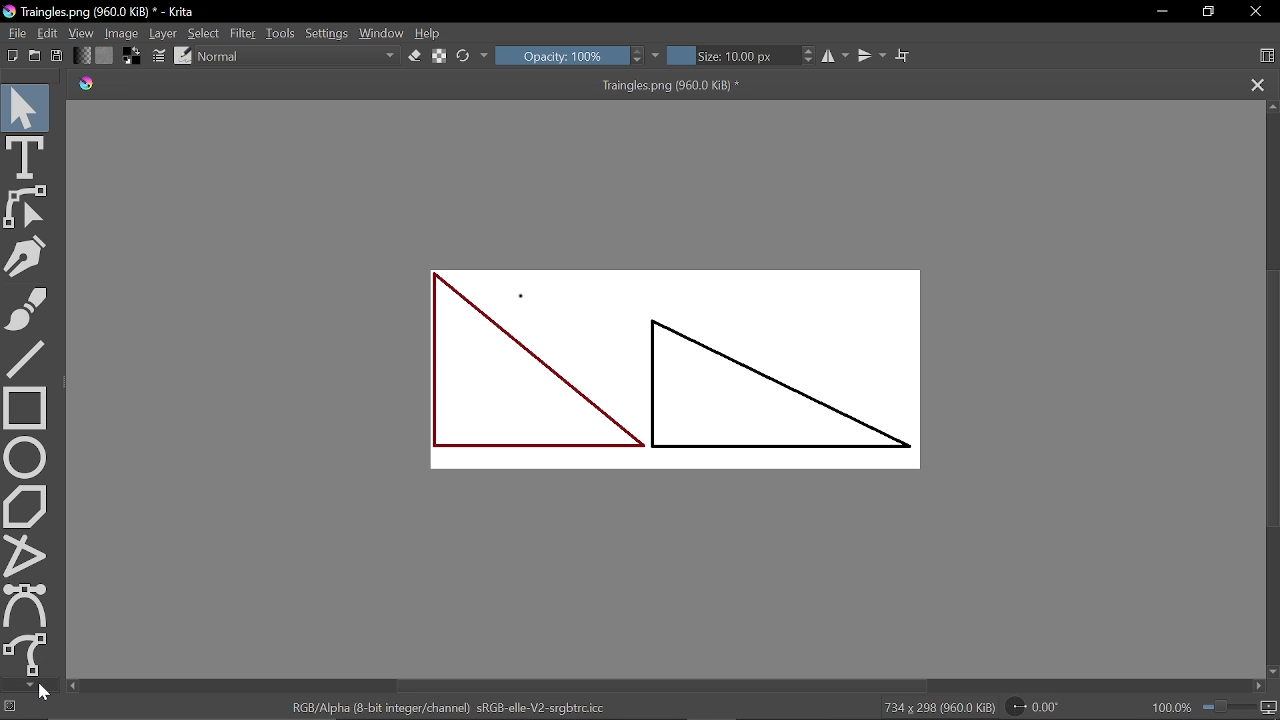  Describe the element at coordinates (689, 366) in the screenshot. I see `Two triangles` at that location.